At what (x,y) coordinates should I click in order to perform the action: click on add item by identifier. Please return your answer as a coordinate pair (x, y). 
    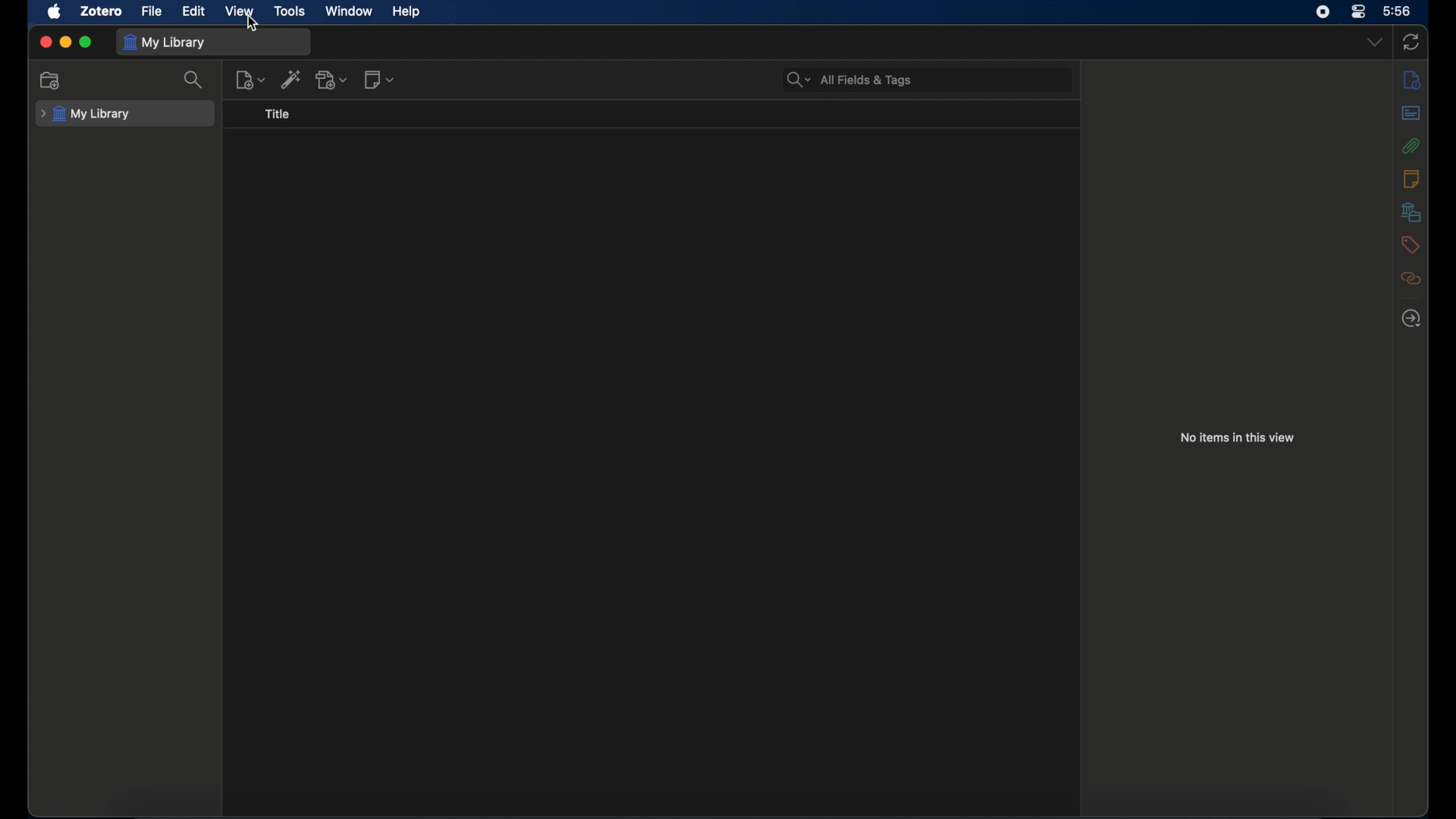
    Looking at the image, I should click on (292, 79).